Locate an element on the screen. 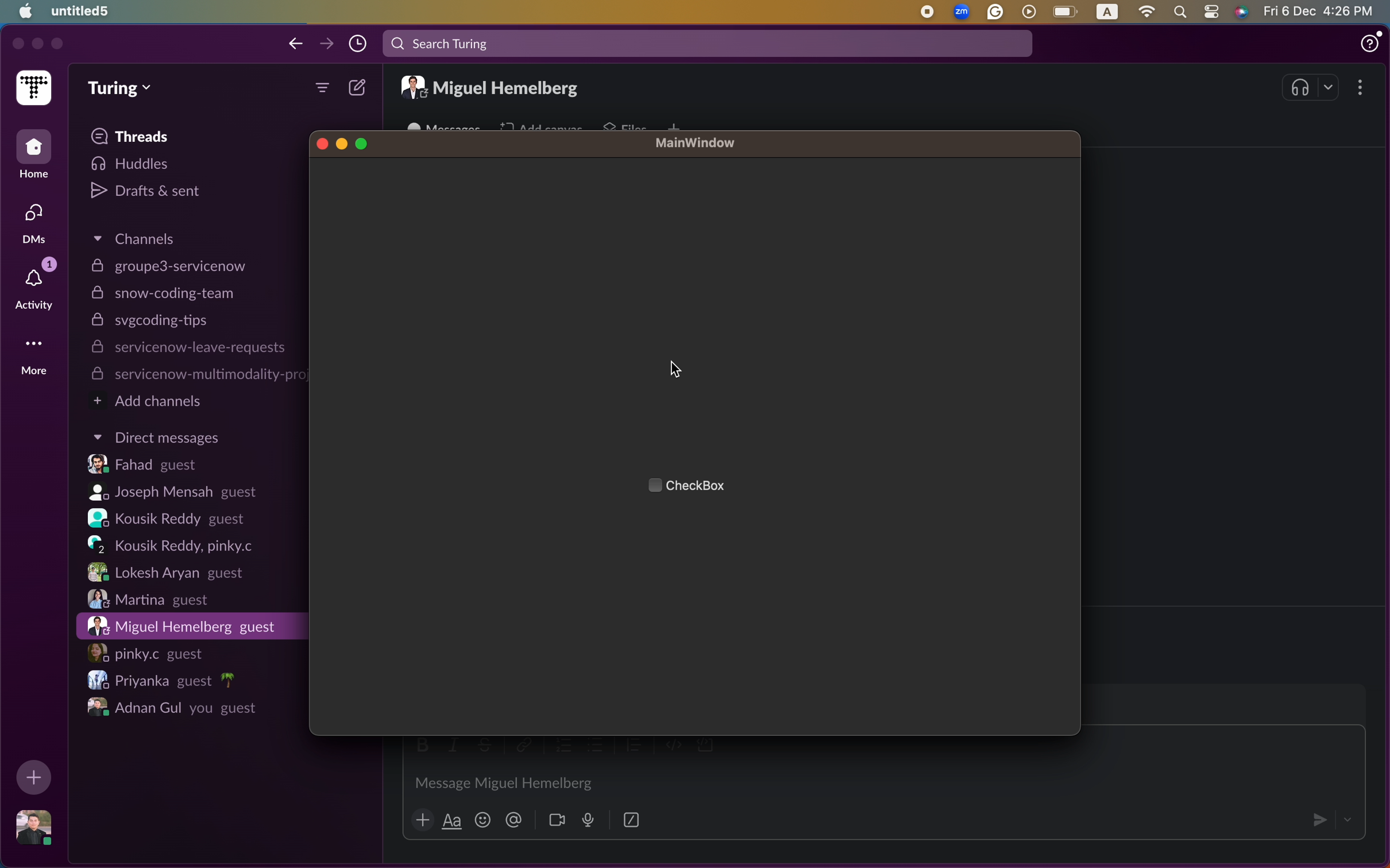 The width and height of the screenshot is (1390, 868). Miguel is located at coordinates (184, 626).